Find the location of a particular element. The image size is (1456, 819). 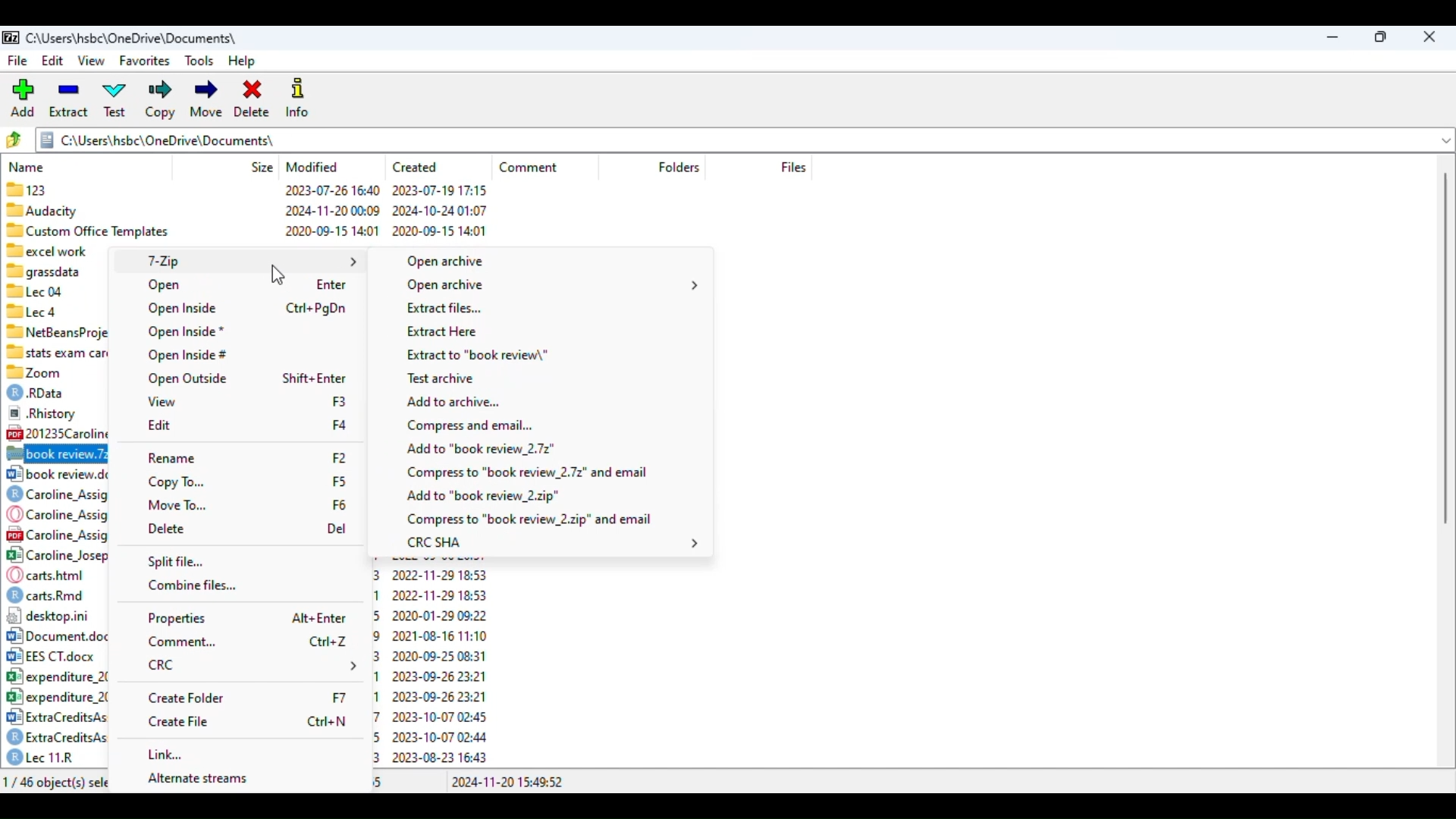

shortcut for move to is located at coordinates (338, 504).